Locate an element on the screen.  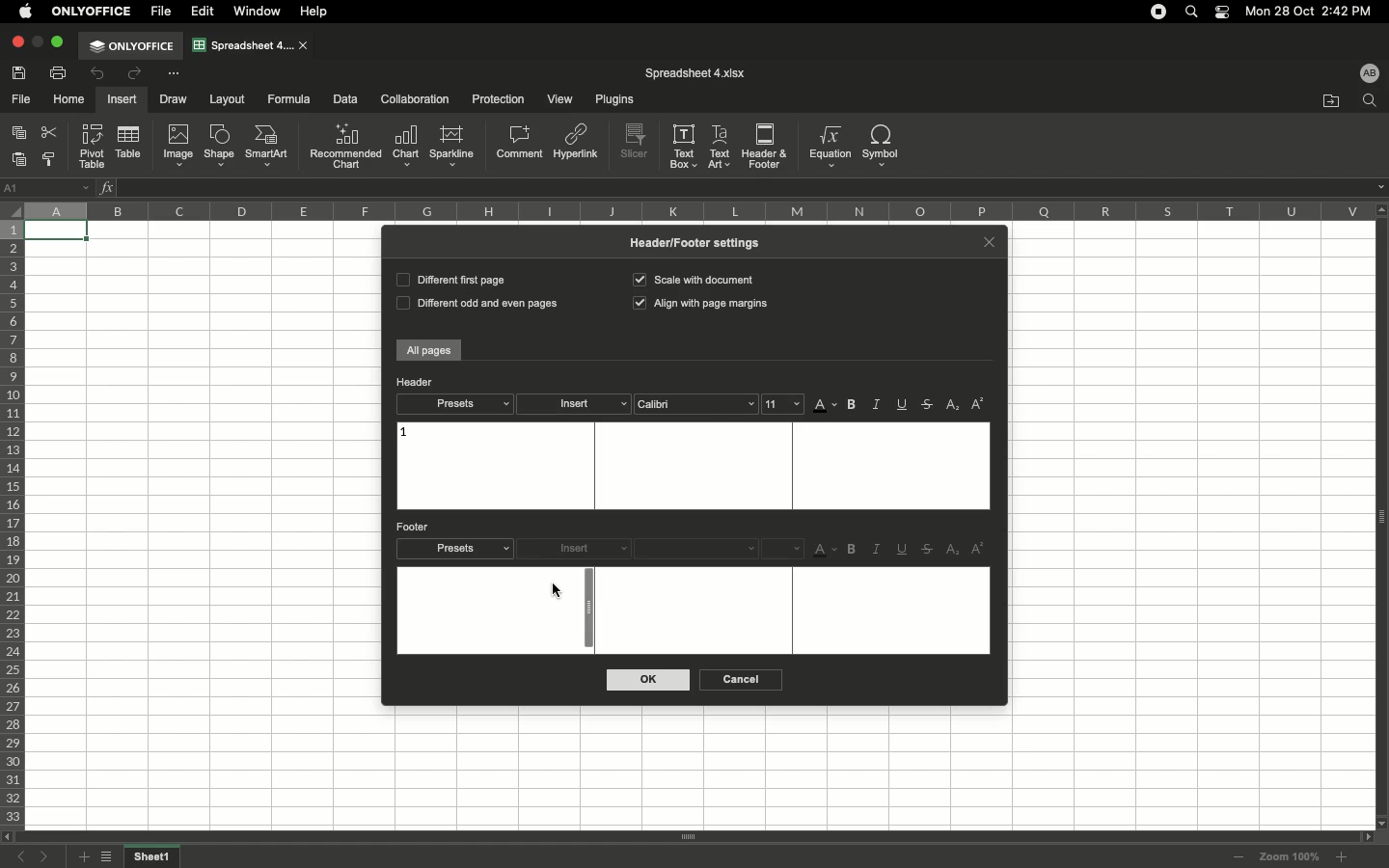
Italics is located at coordinates (876, 405).